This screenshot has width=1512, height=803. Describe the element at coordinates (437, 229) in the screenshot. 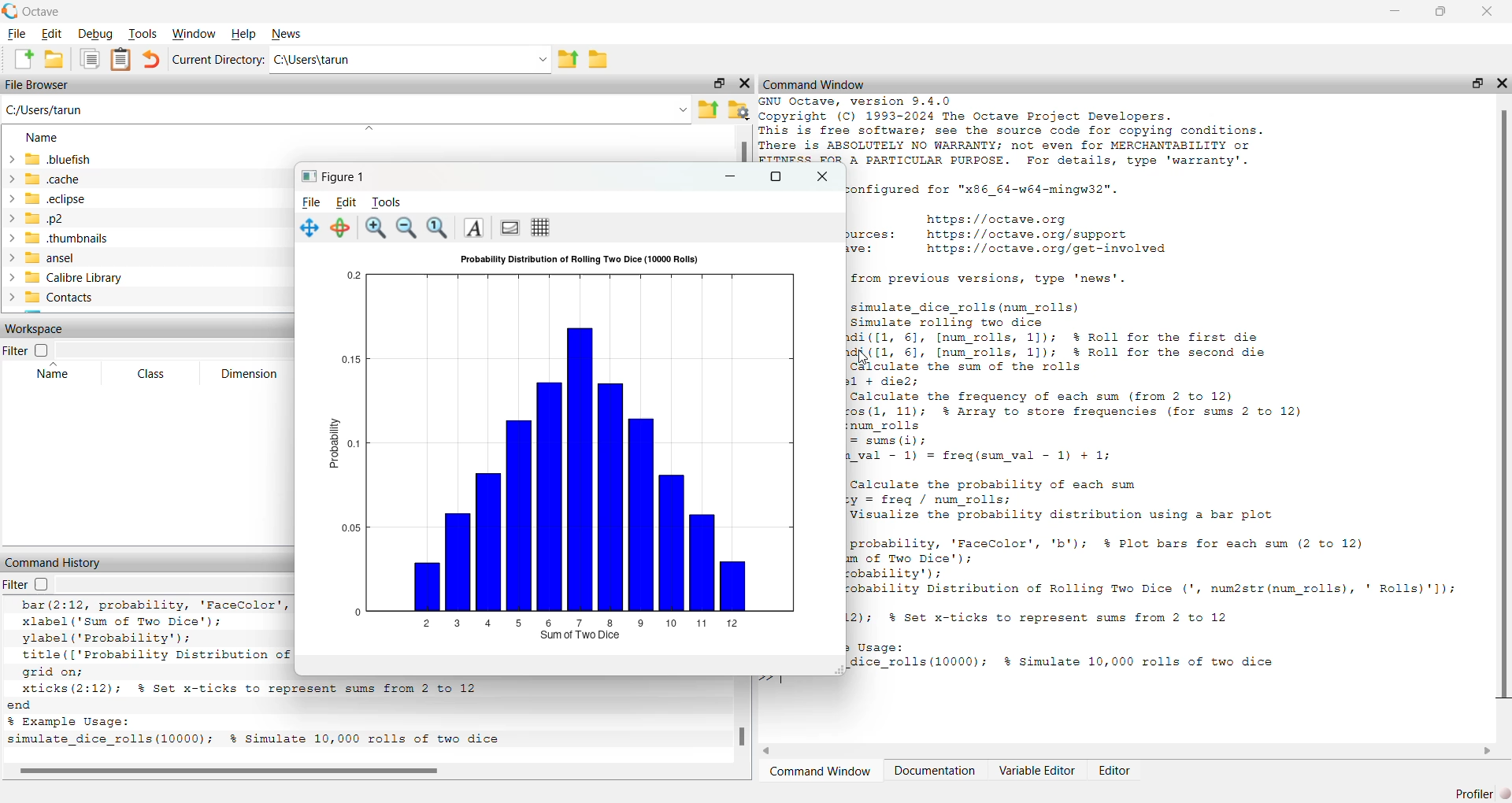

I see `zoom` at that location.